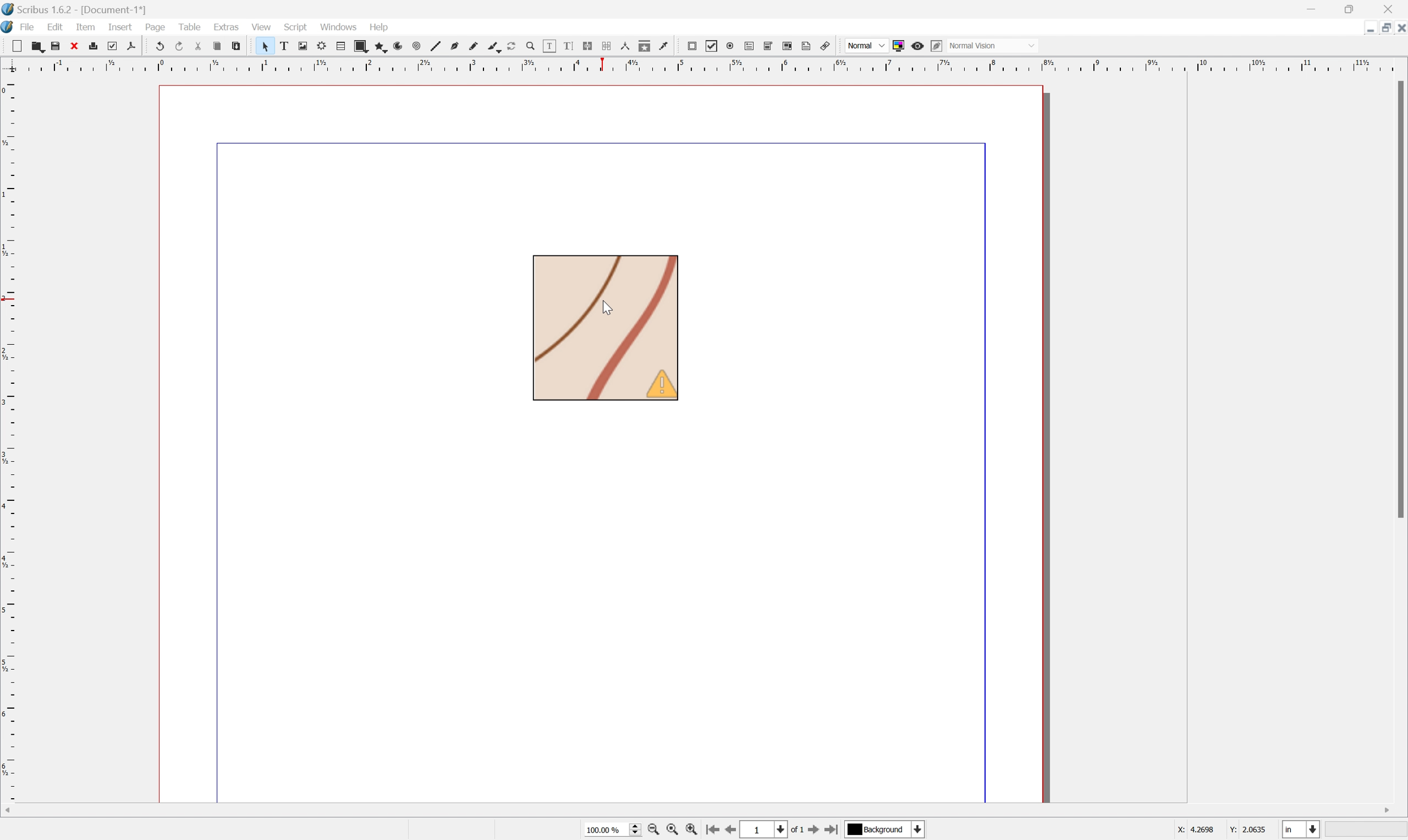 The image size is (1408, 840). What do you see at coordinates (458, 47) in the screenshot?
I see `Bezier curve` at bounding box center [458, 47].